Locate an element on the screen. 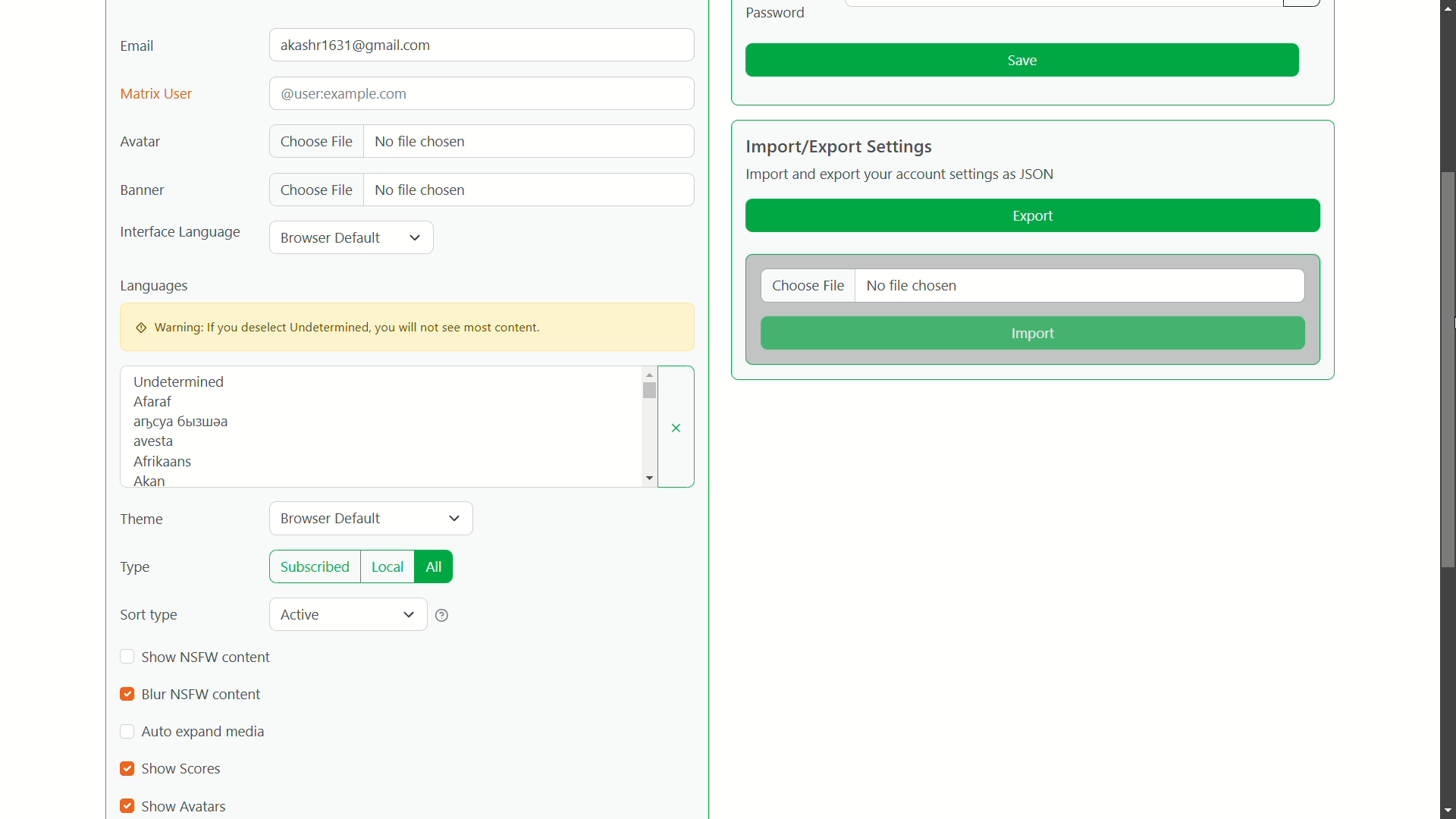 This screenshot has width=1456, height=819. checkbox is located at coordinates (128, 769).